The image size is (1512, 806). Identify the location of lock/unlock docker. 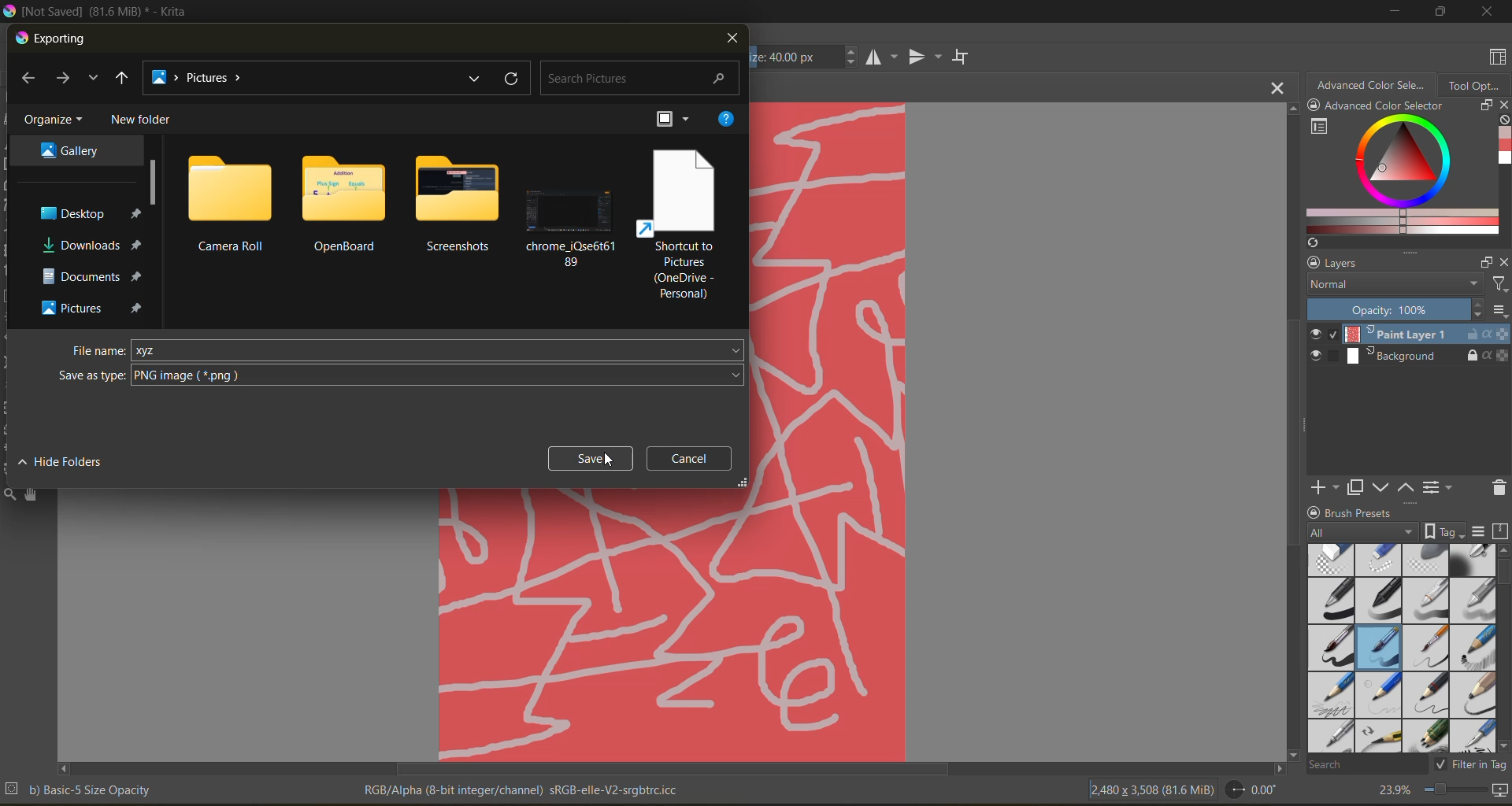
(1317, 107).